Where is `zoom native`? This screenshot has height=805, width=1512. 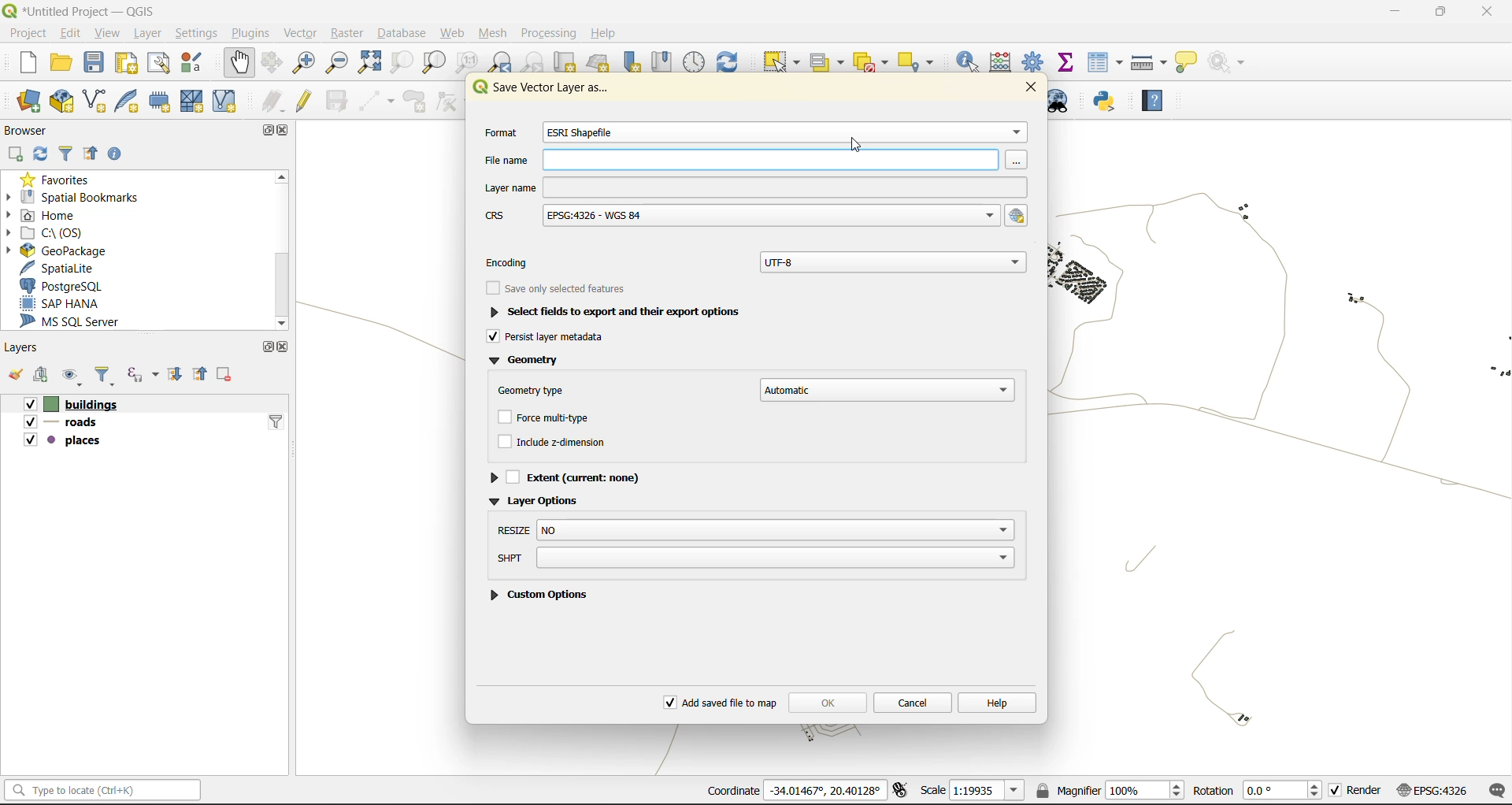 zoom native is located at coordinates (469, 61).